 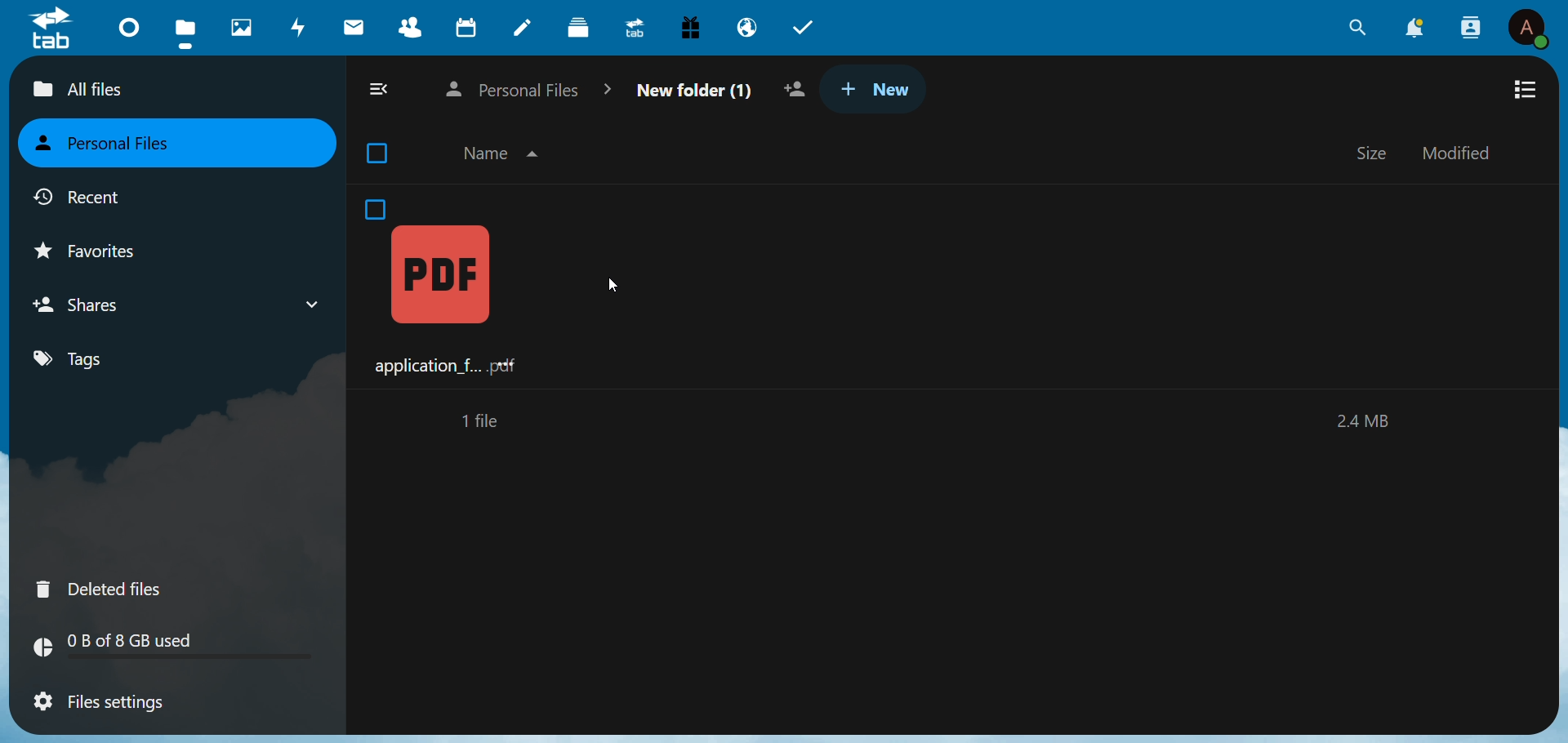 What do you see at coordinates (1374, 151) in the screenshot?
I see `size` at bounding box center [1374, 151].